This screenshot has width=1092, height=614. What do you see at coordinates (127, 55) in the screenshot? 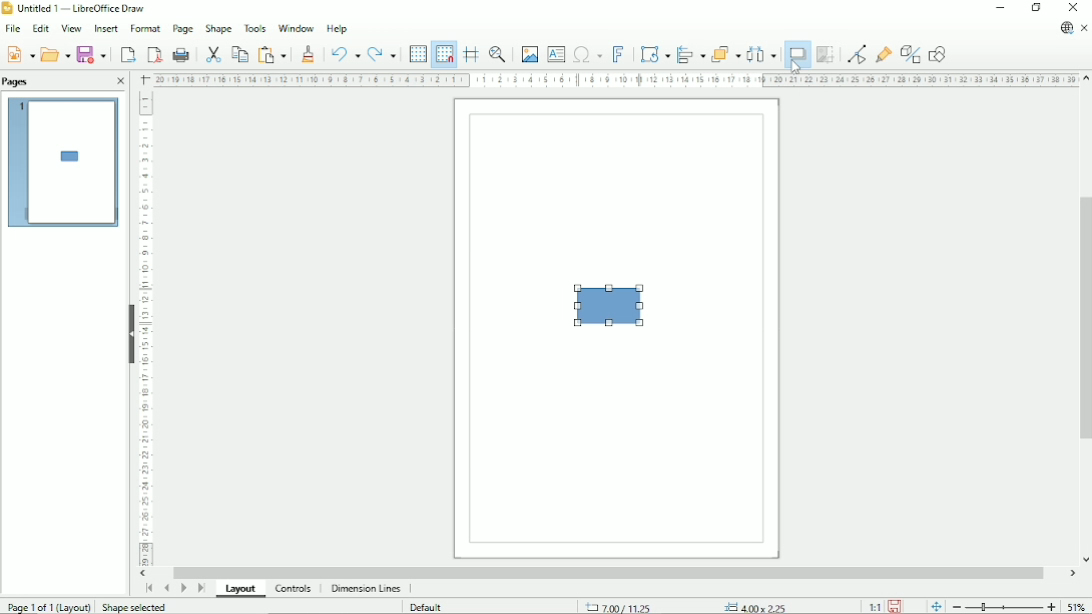
I see `Export` at bounding box center [127, 55].